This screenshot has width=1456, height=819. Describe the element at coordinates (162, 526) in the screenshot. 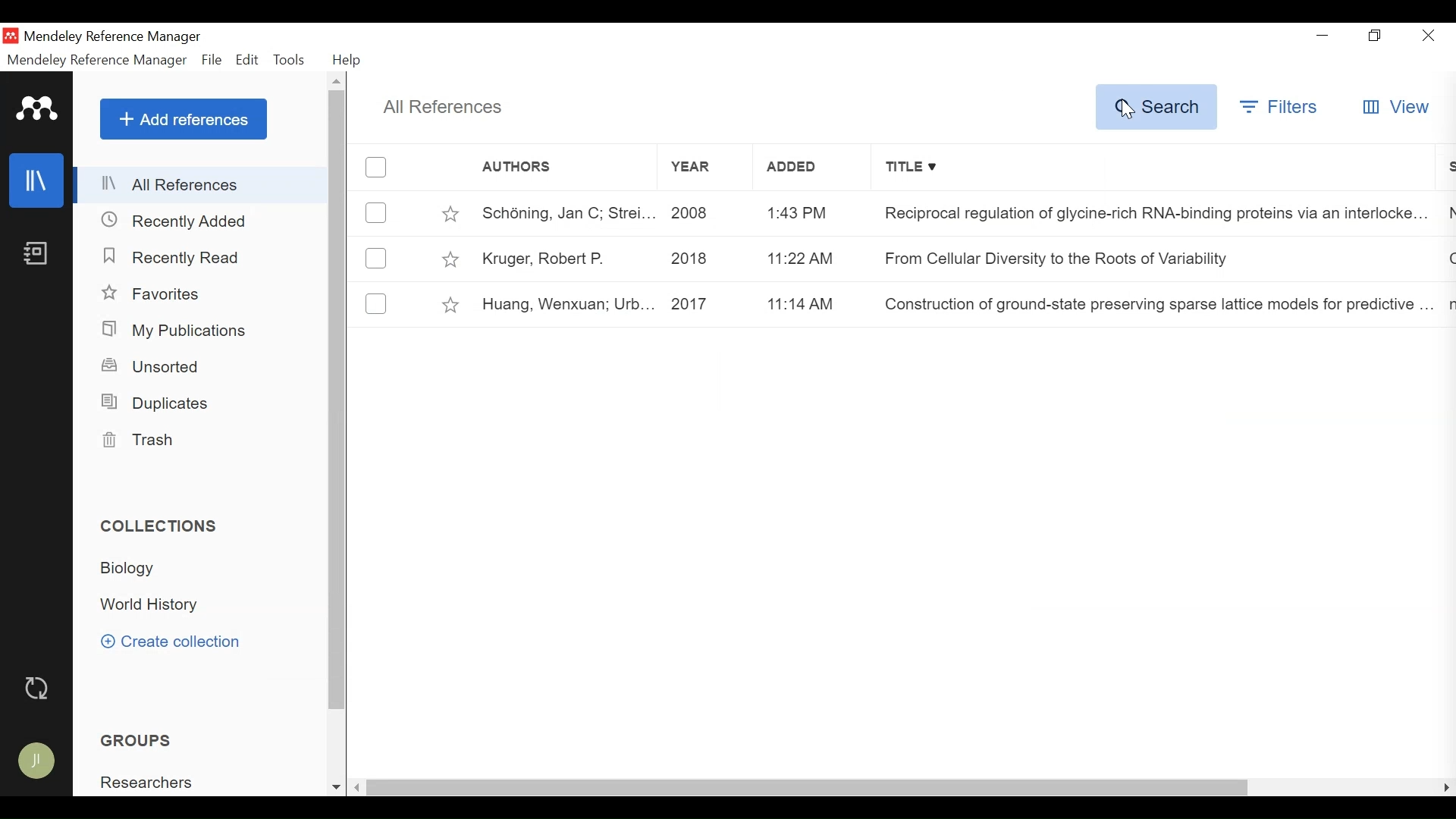

I see `Collection` at that location.